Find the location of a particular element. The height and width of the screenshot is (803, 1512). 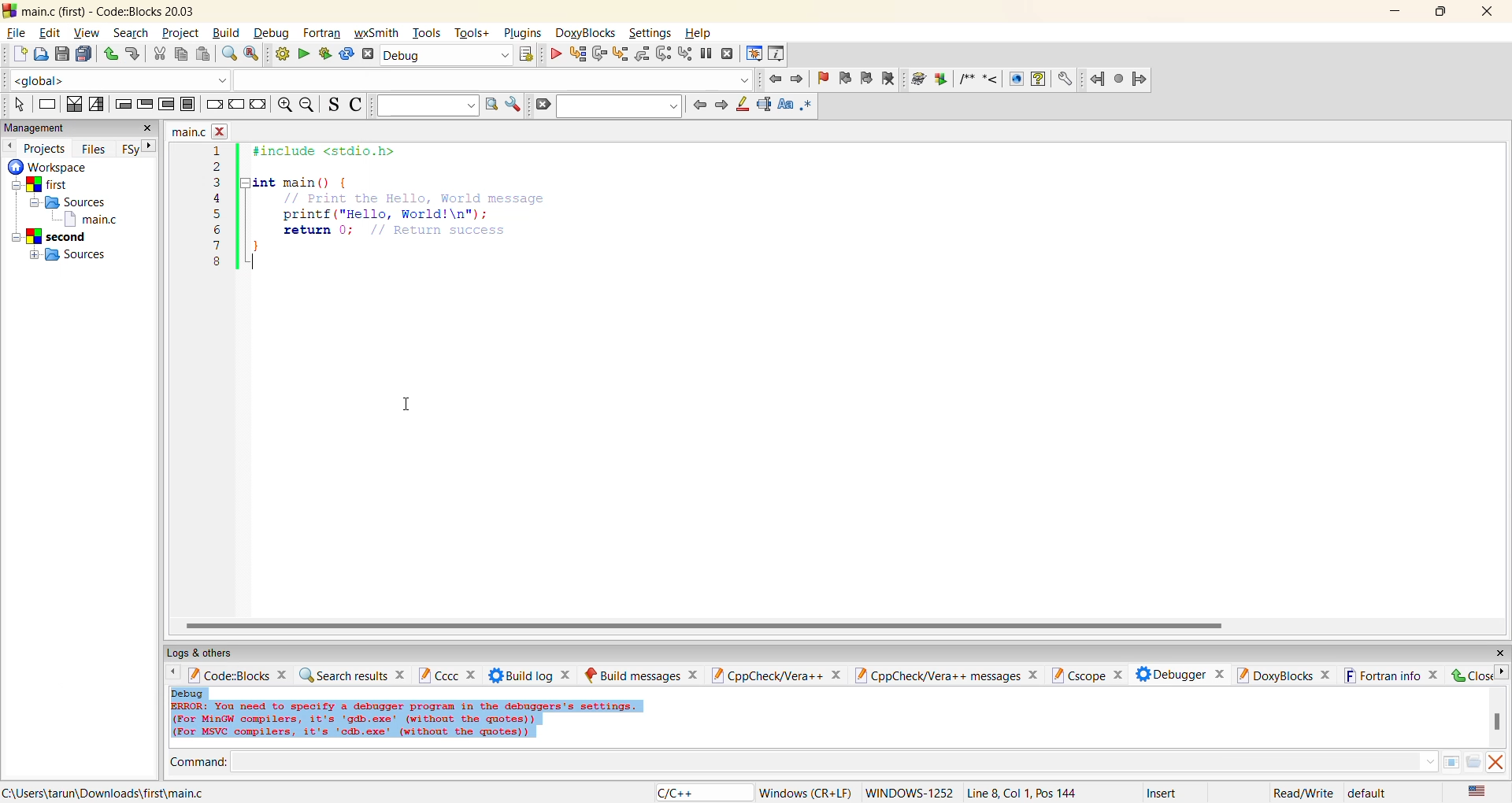

next is located at coordinates (1503, 673).